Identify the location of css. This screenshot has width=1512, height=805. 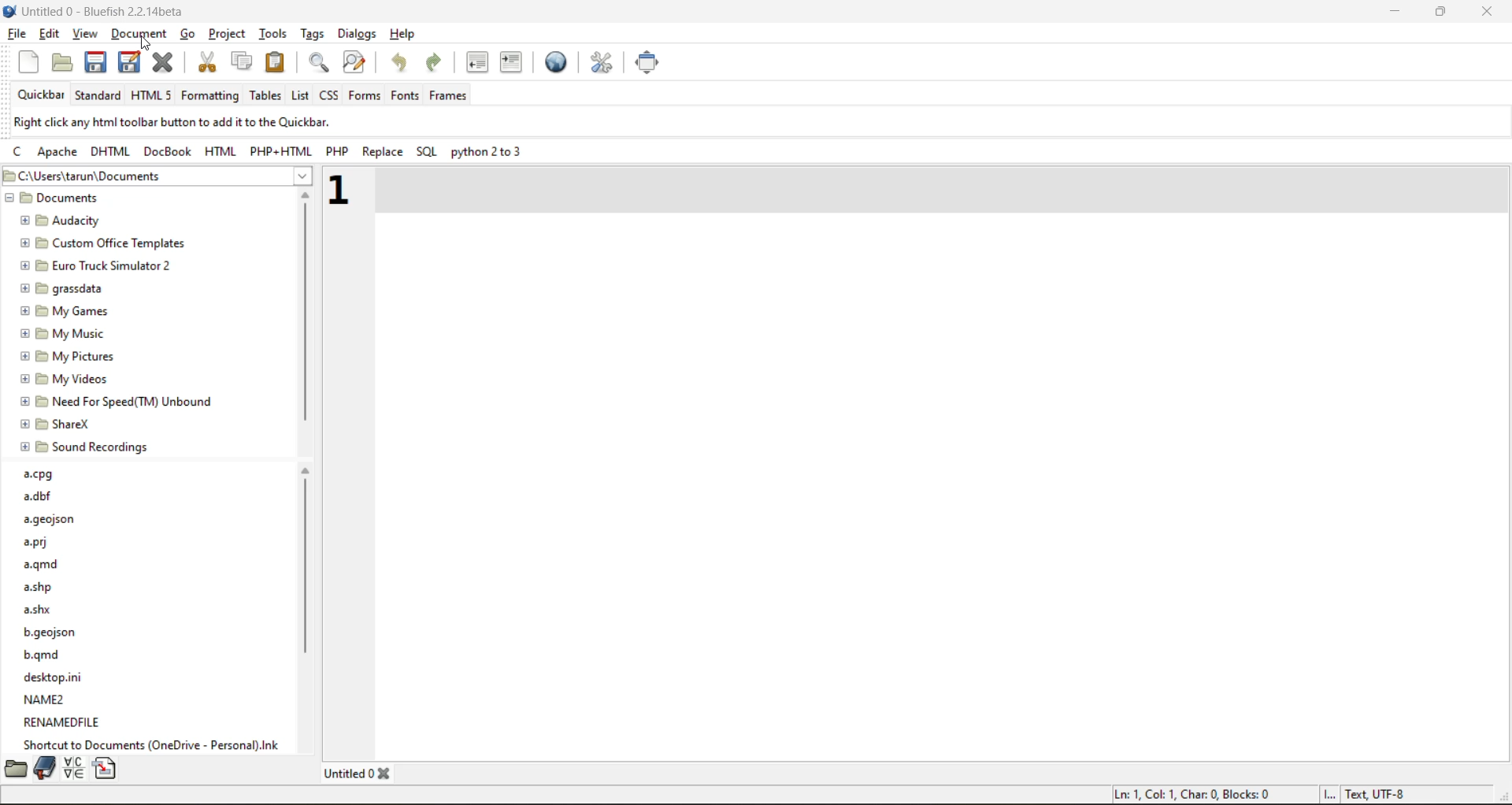
(331, 95).